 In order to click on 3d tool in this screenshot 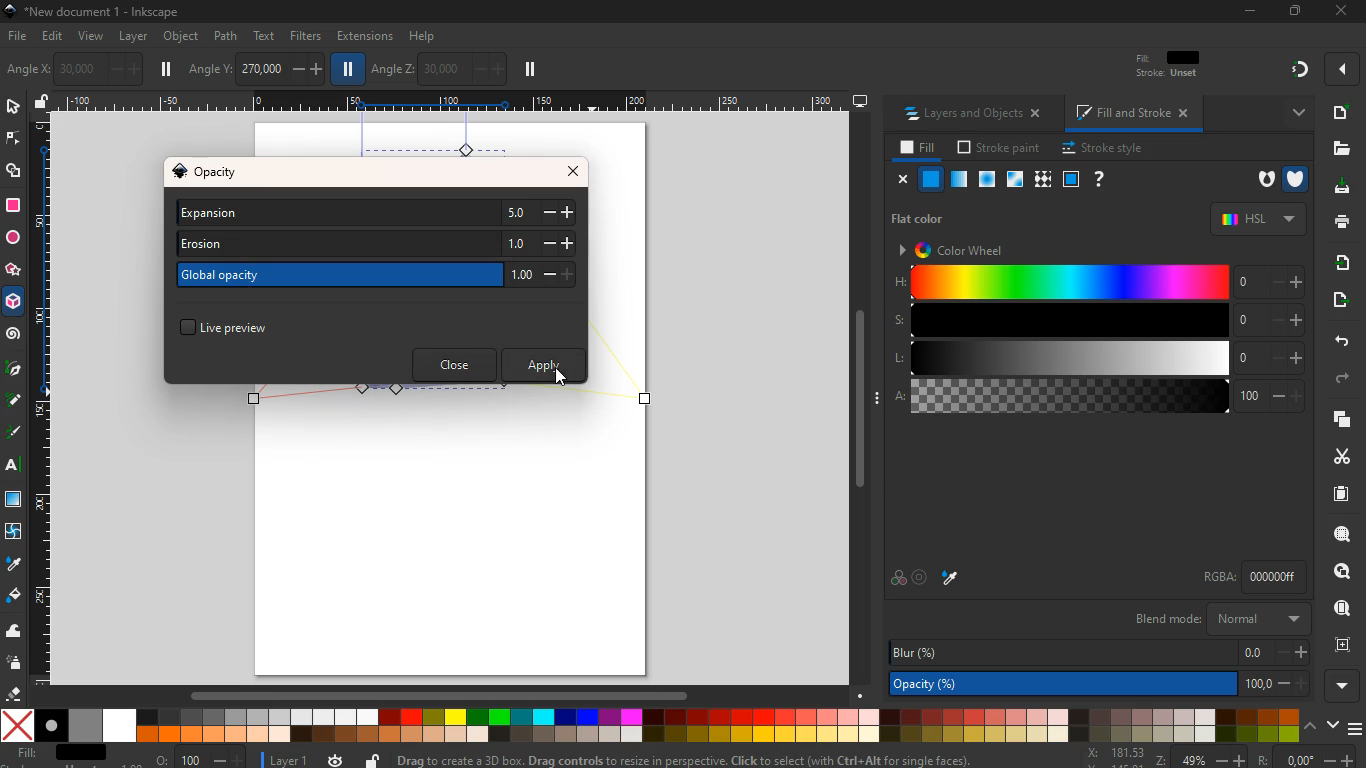, I will do `click(15, 305)`.